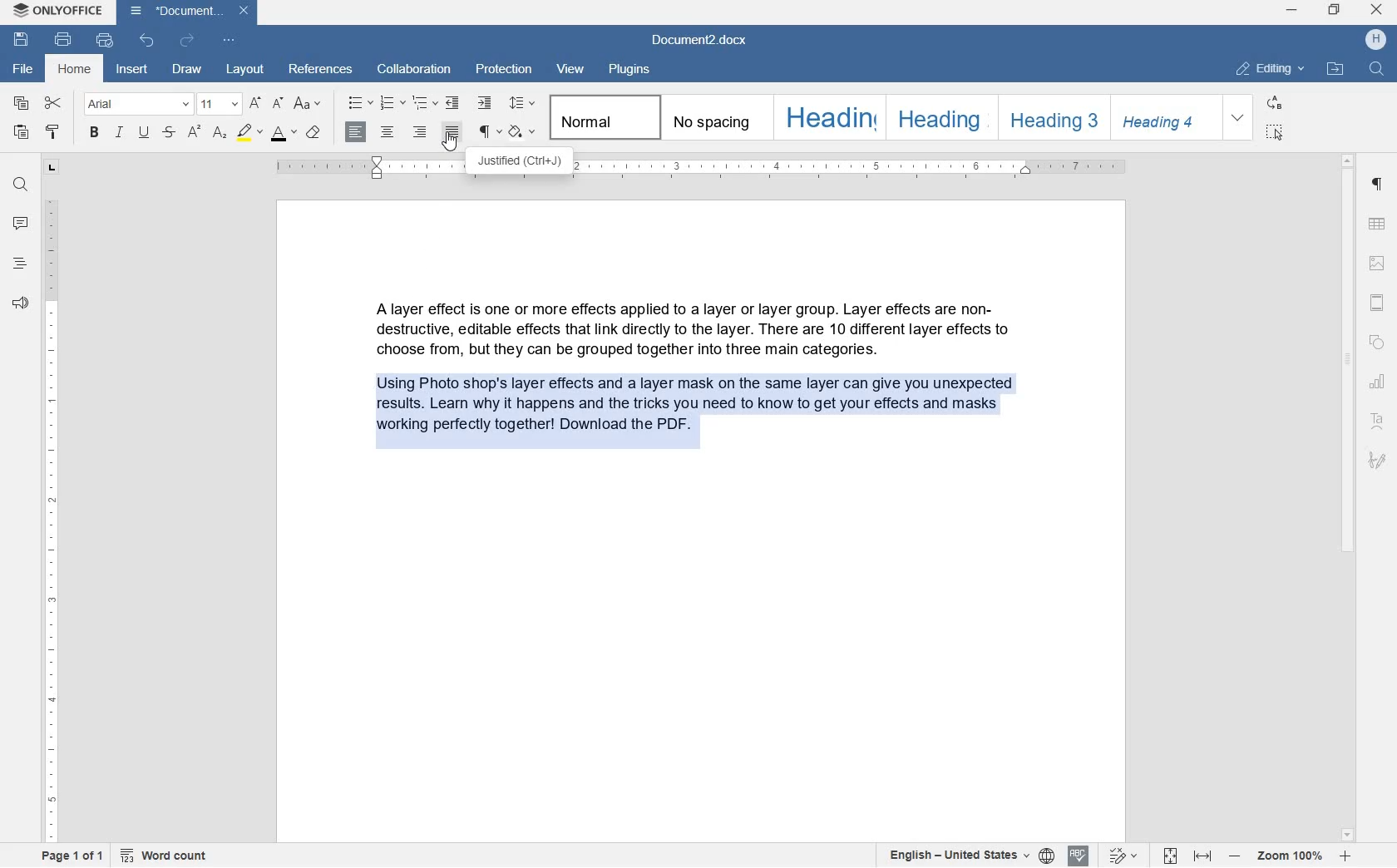 Image resolution: width=1397 pixels, height=868 pixels. Describe the element at coordinates (1271, 70) in the screenshot. I see `EDITING` at that location.